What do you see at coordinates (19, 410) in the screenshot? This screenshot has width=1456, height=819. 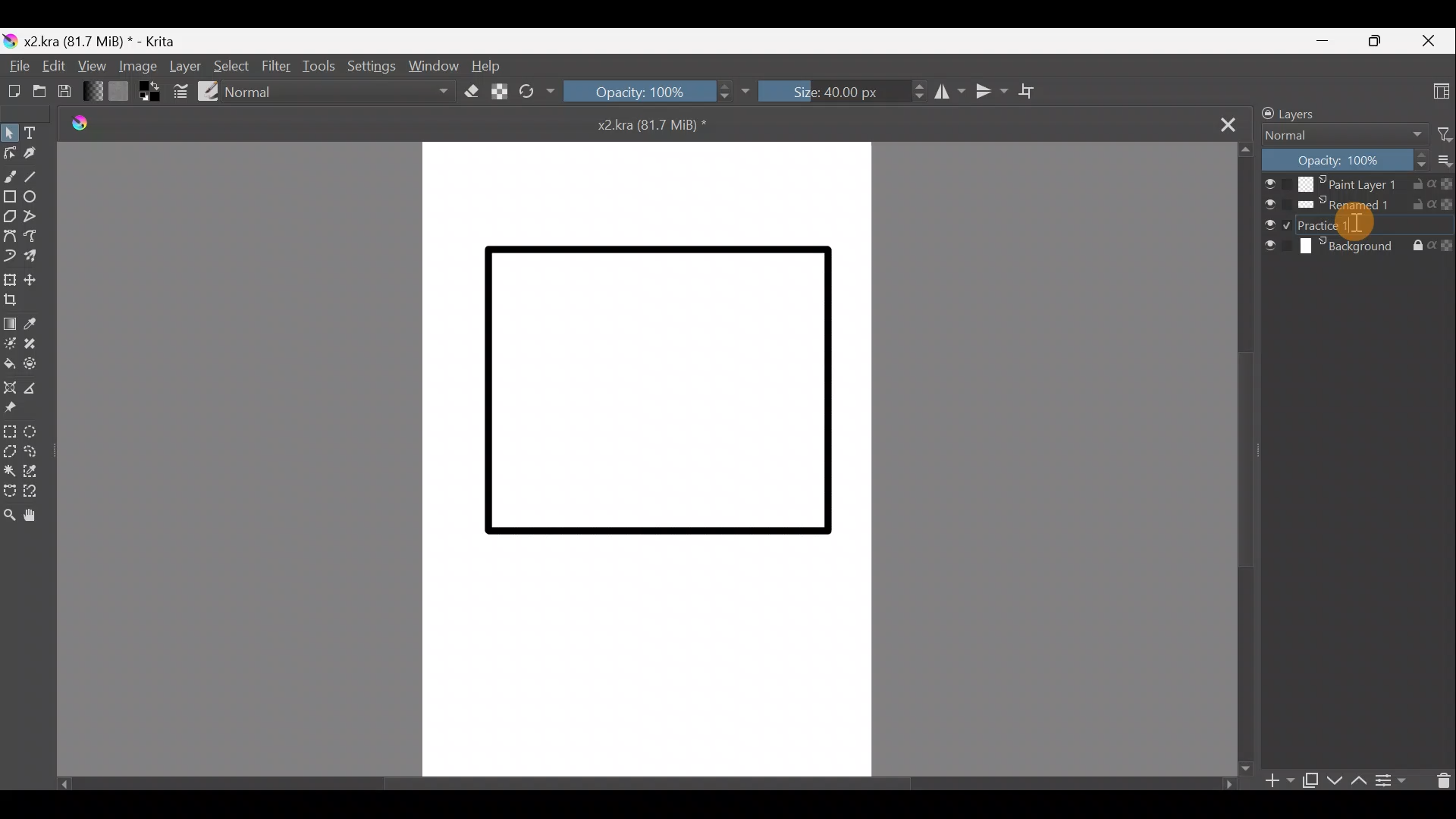 I see `Reference images tool` at bounding box center [19, 410].